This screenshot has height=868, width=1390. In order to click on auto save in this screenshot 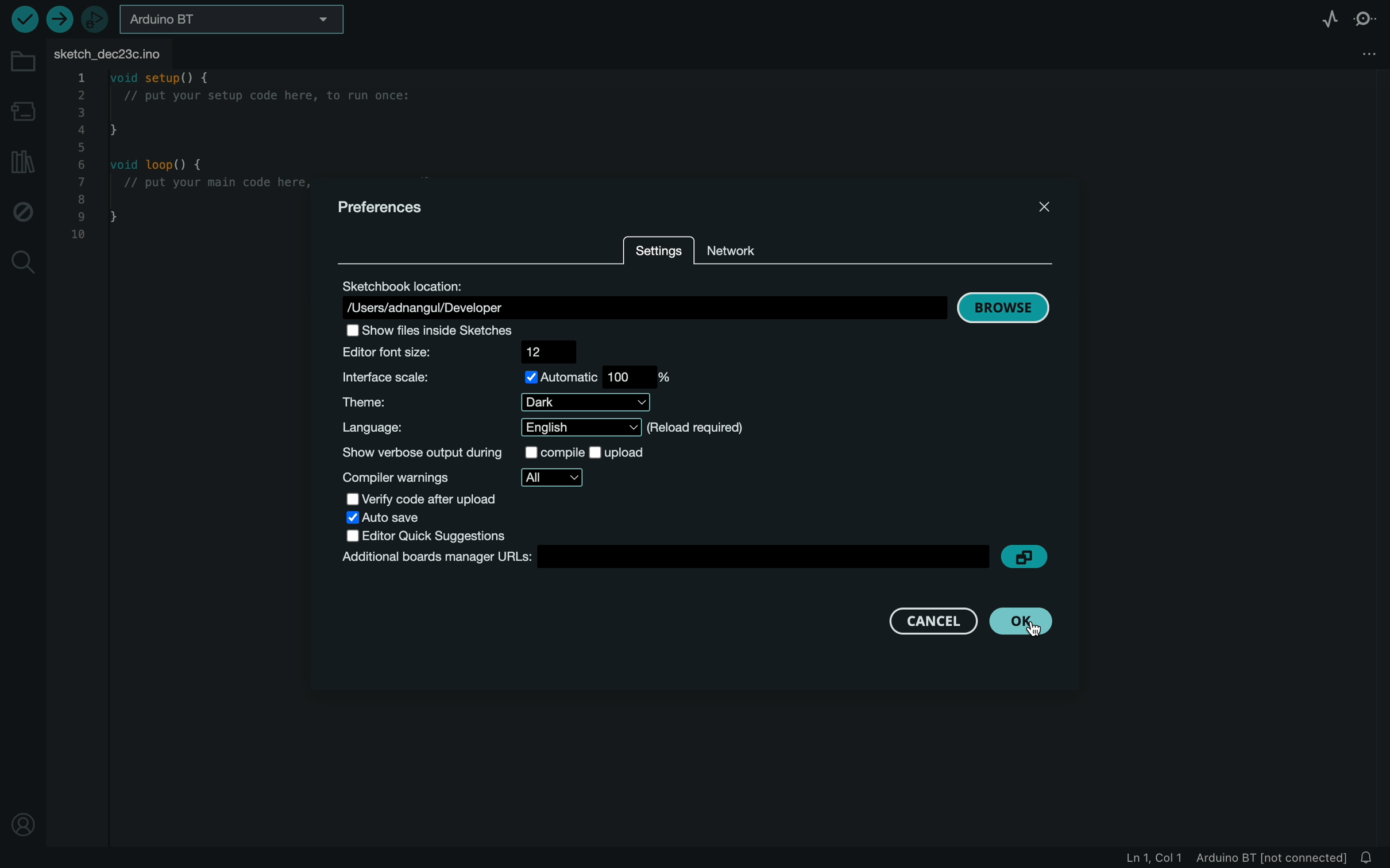, I will do `click(435, 516)`.